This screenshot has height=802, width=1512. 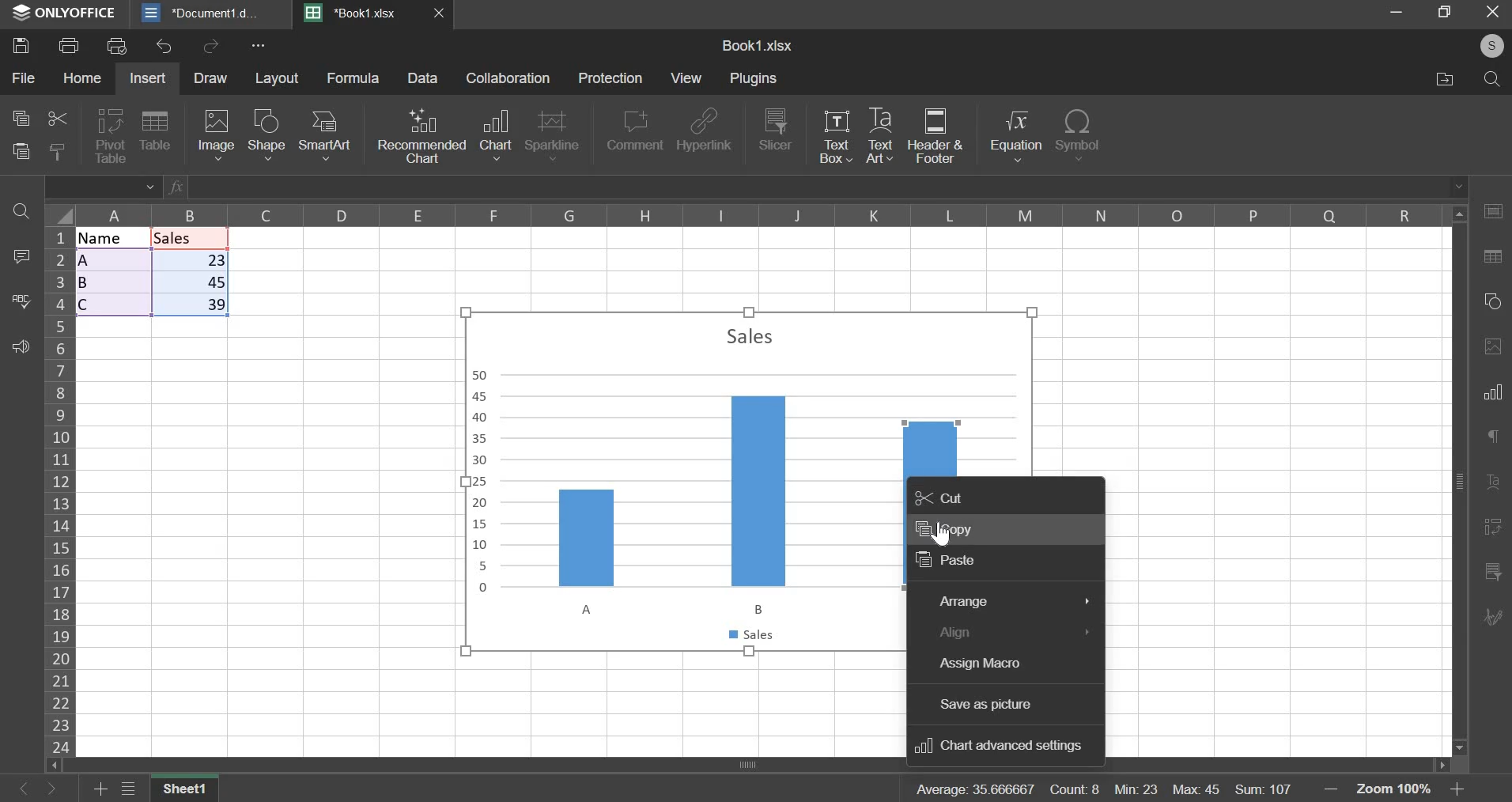 What do you see at coordinates (1196, 786) in the screenshot?
I see `max` at bounding box center [1196, 786].